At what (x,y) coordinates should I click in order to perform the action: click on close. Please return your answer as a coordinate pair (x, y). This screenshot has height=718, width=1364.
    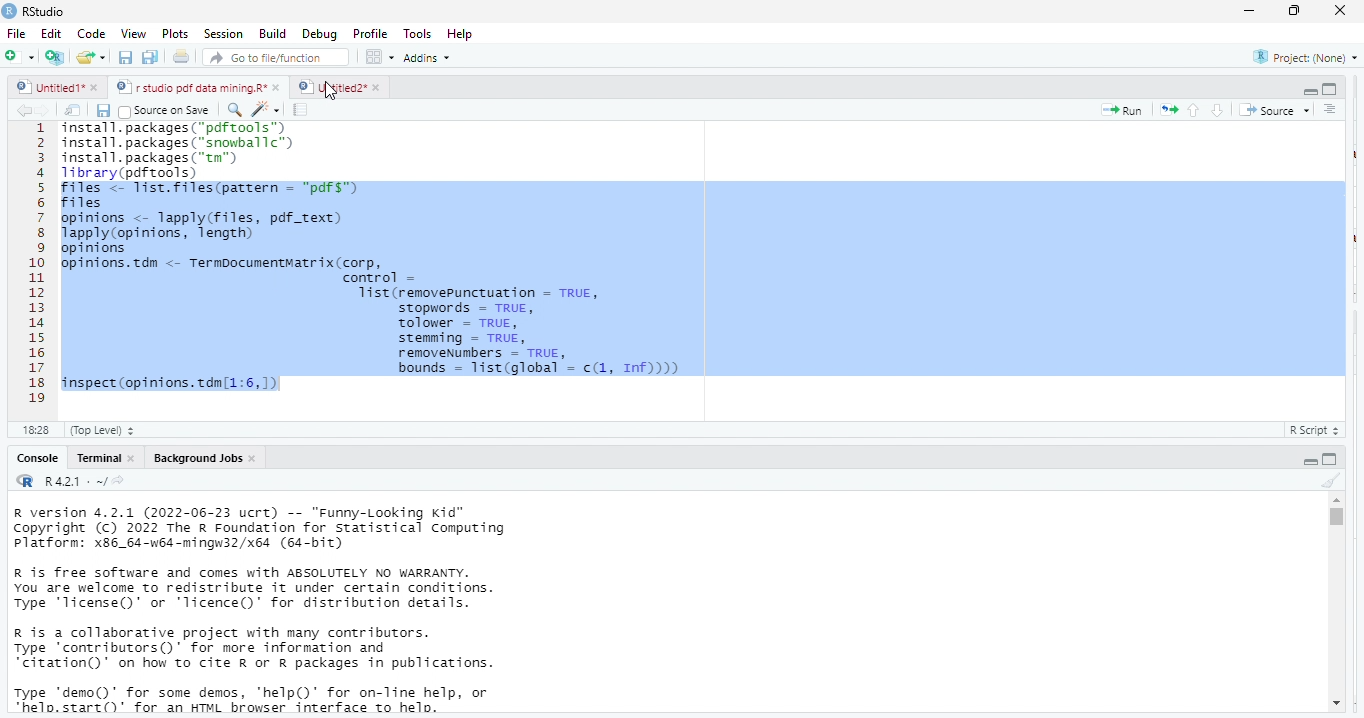
    Looking at the image, I should click on (255, 458).